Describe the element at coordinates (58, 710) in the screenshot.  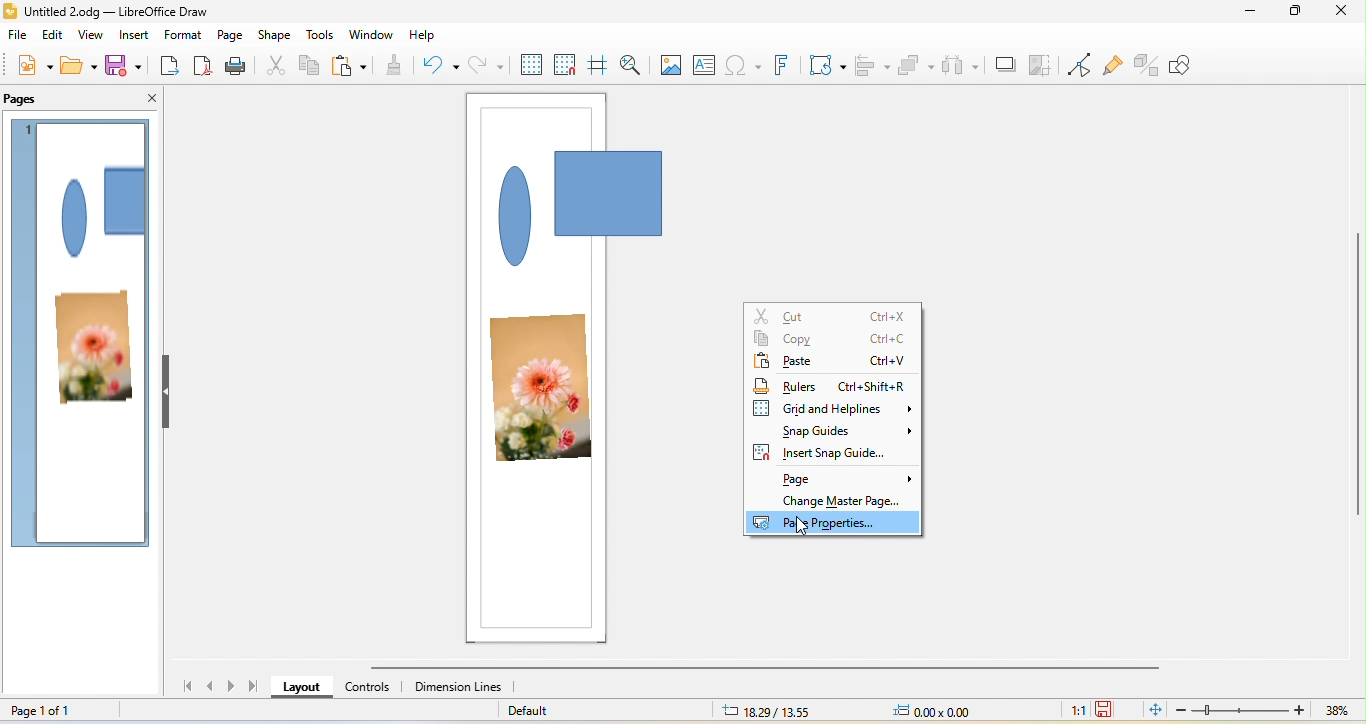
I see `page 1 of 1` at that location.